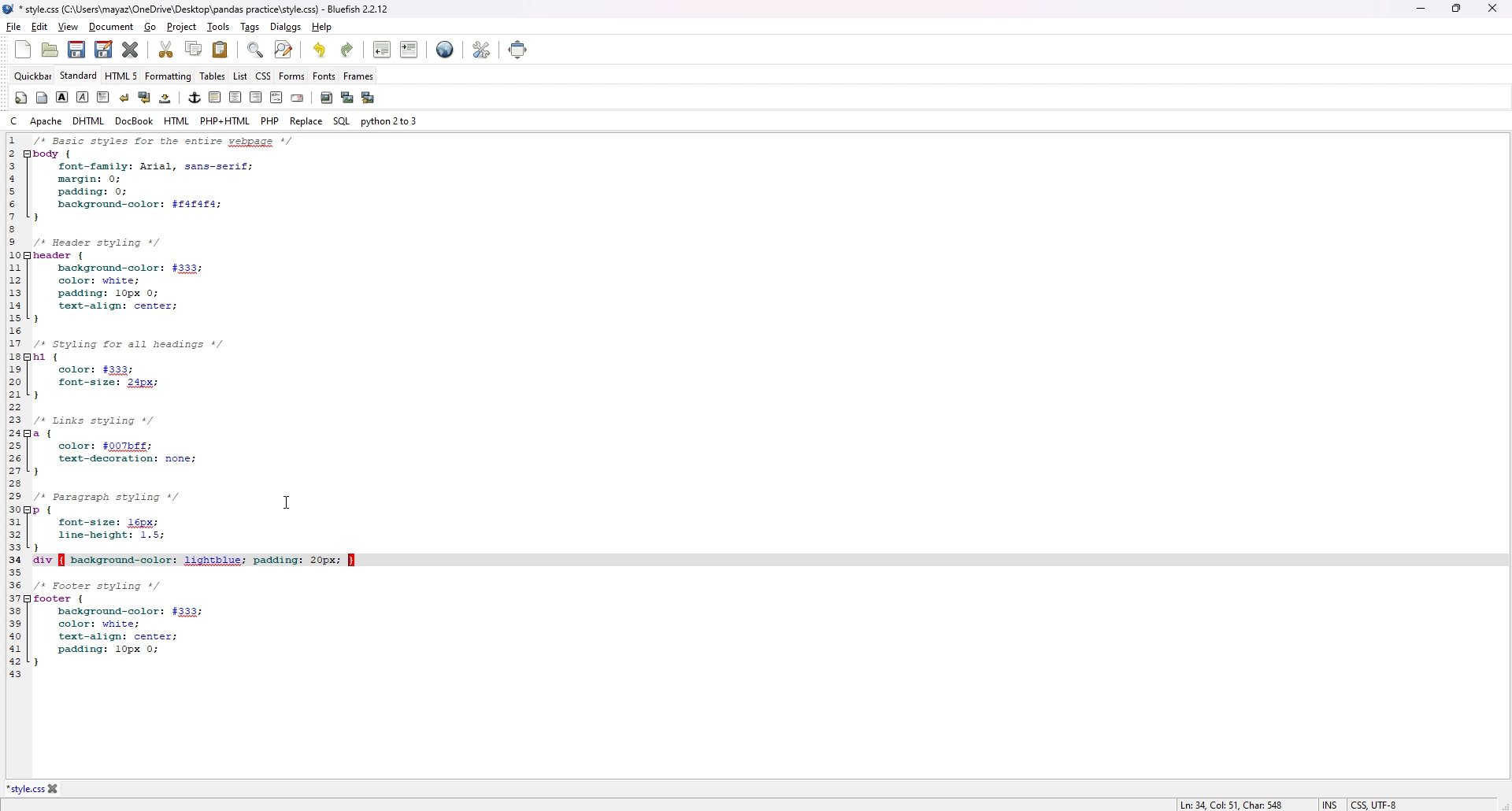 The width and height of the screenshot is (1512, 811). I want to click on preview in browser, so click(444, 50).